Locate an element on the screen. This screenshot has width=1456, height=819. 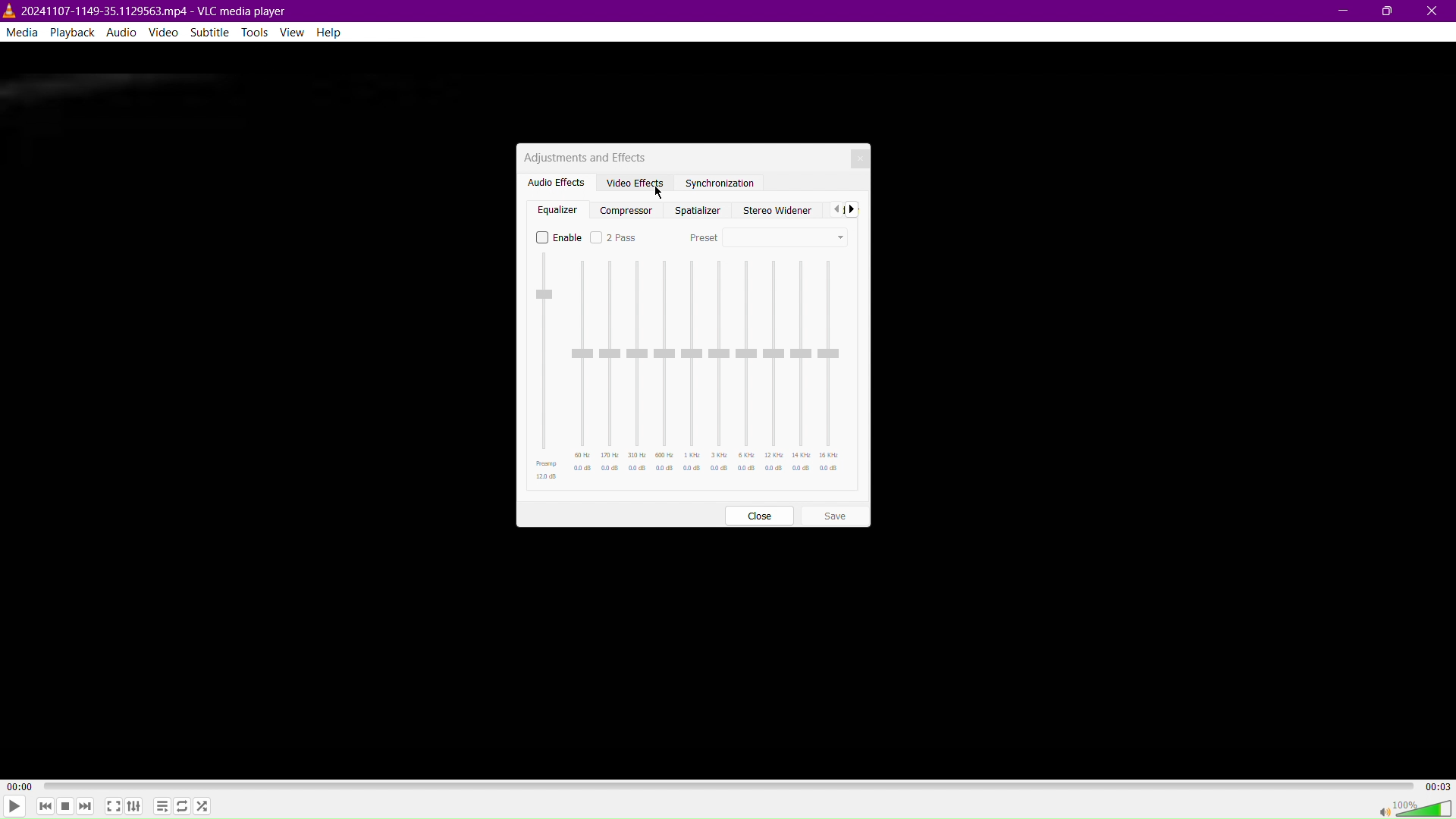
3KHz Equalizer is located at coordinates (720, 369).